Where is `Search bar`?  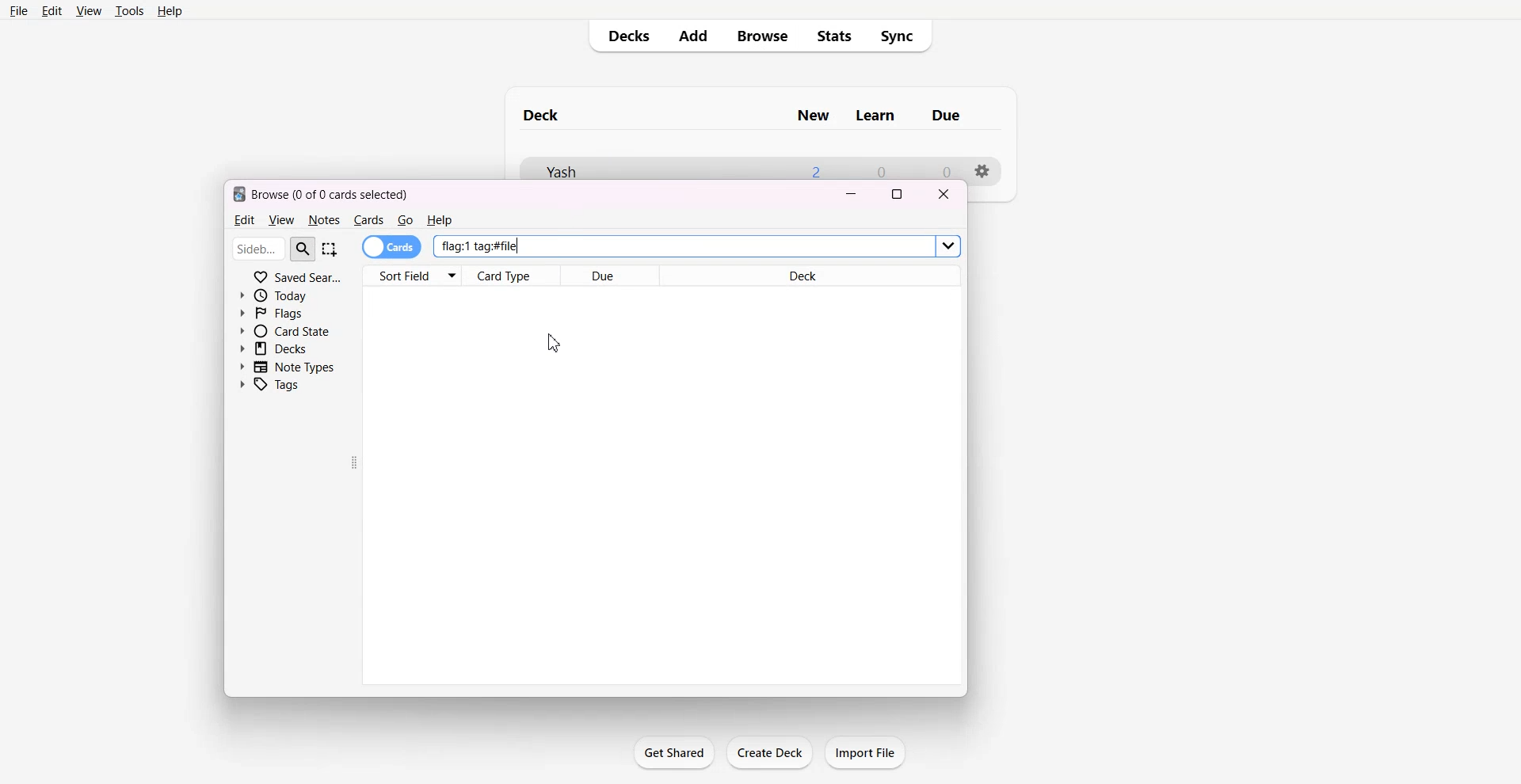
Search bar is located at coordinates (272, 249).